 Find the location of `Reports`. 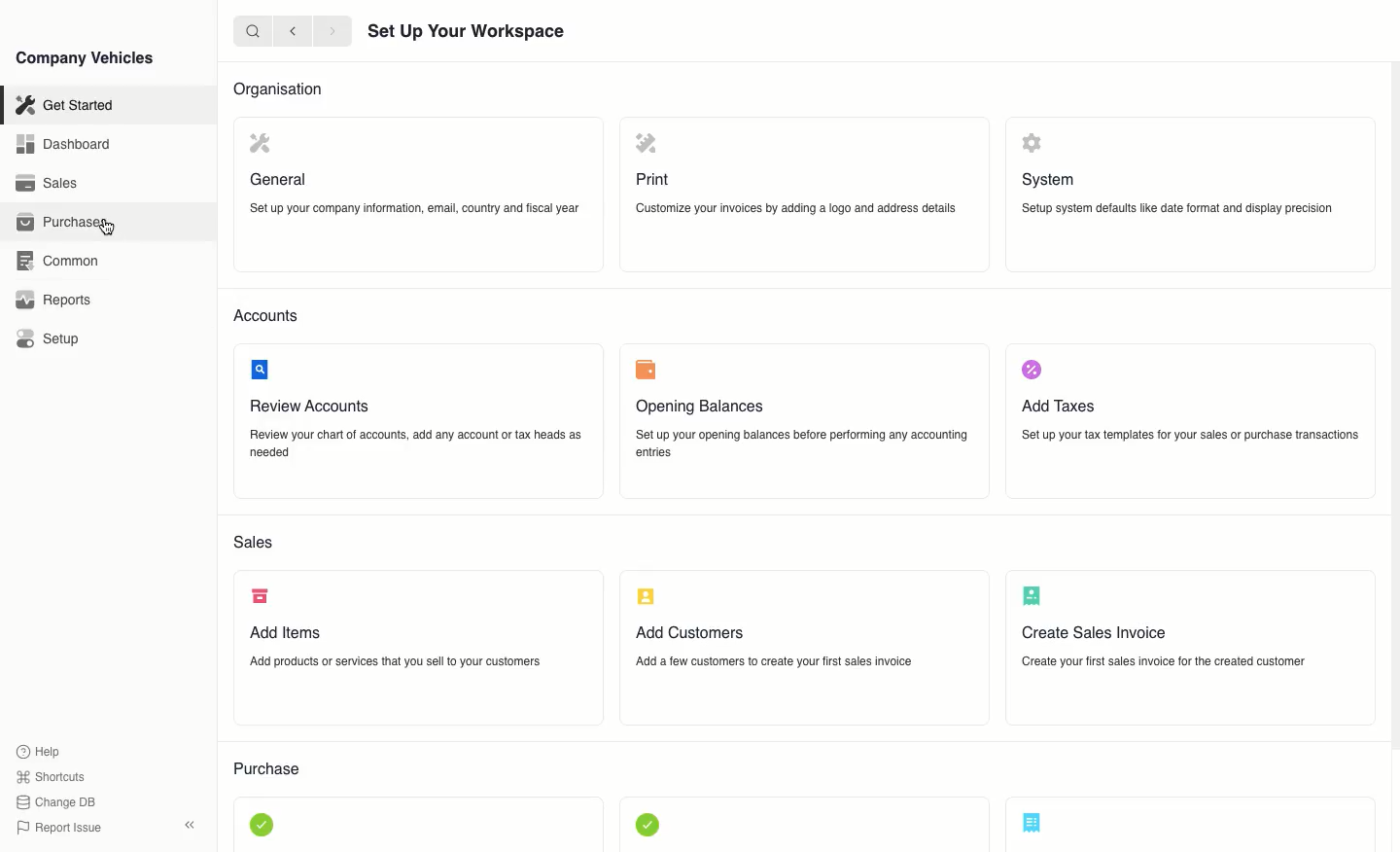

Reports is located at coordinates (52, 302).